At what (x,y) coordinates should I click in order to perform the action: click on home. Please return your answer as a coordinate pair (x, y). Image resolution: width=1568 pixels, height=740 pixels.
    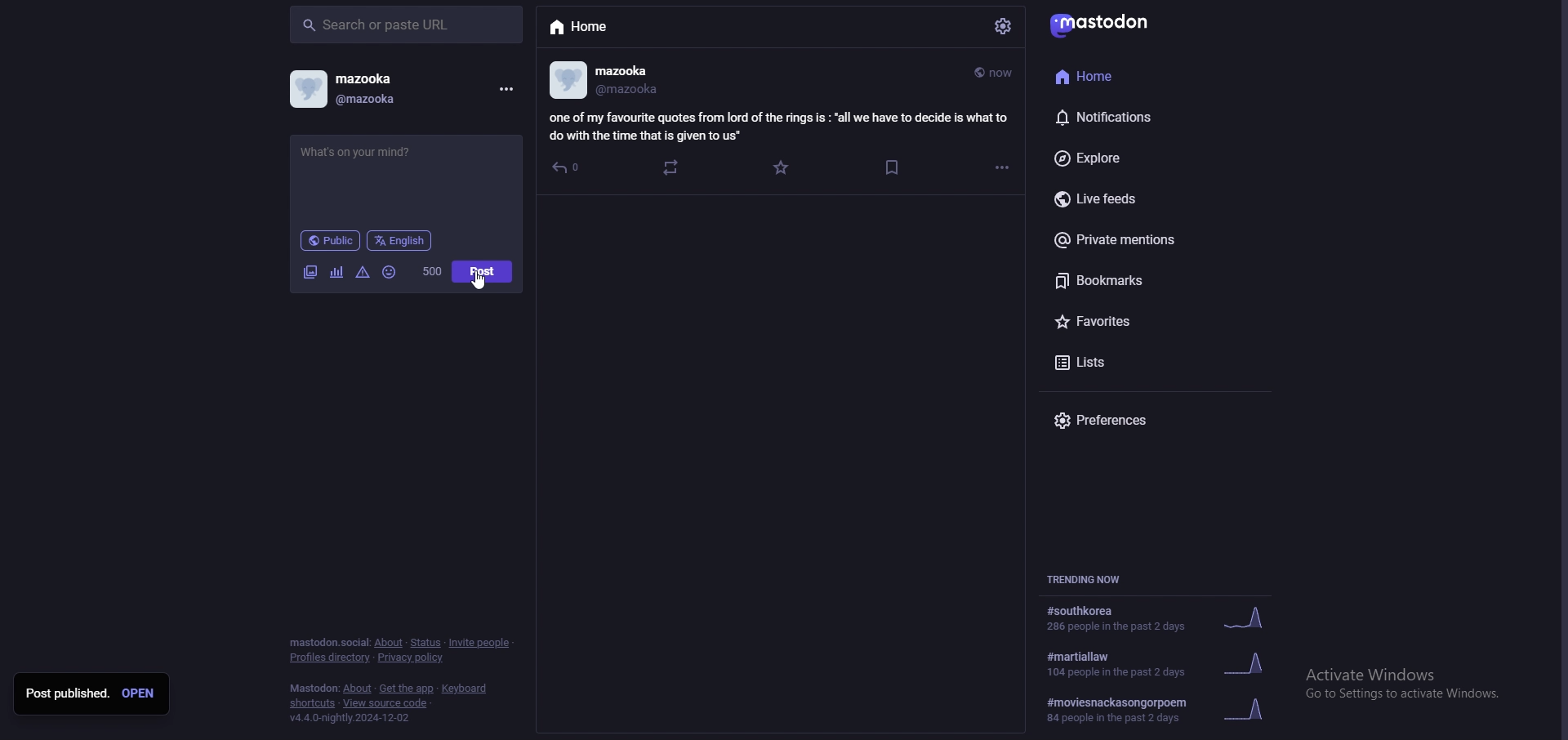
    Looking at the image, I should click on (598, 29).